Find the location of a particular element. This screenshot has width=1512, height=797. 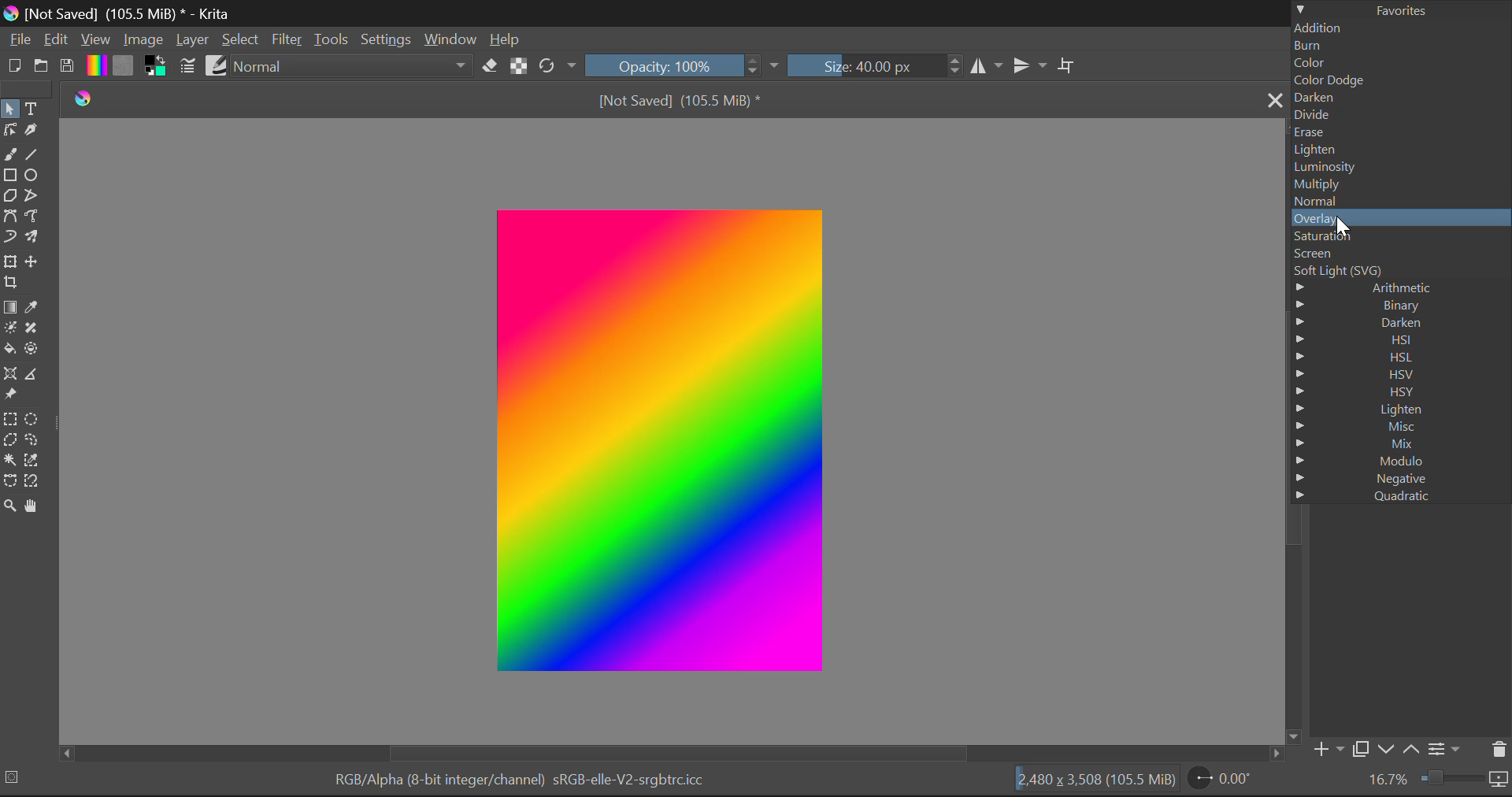

logo is located at coordinates (87, 100).